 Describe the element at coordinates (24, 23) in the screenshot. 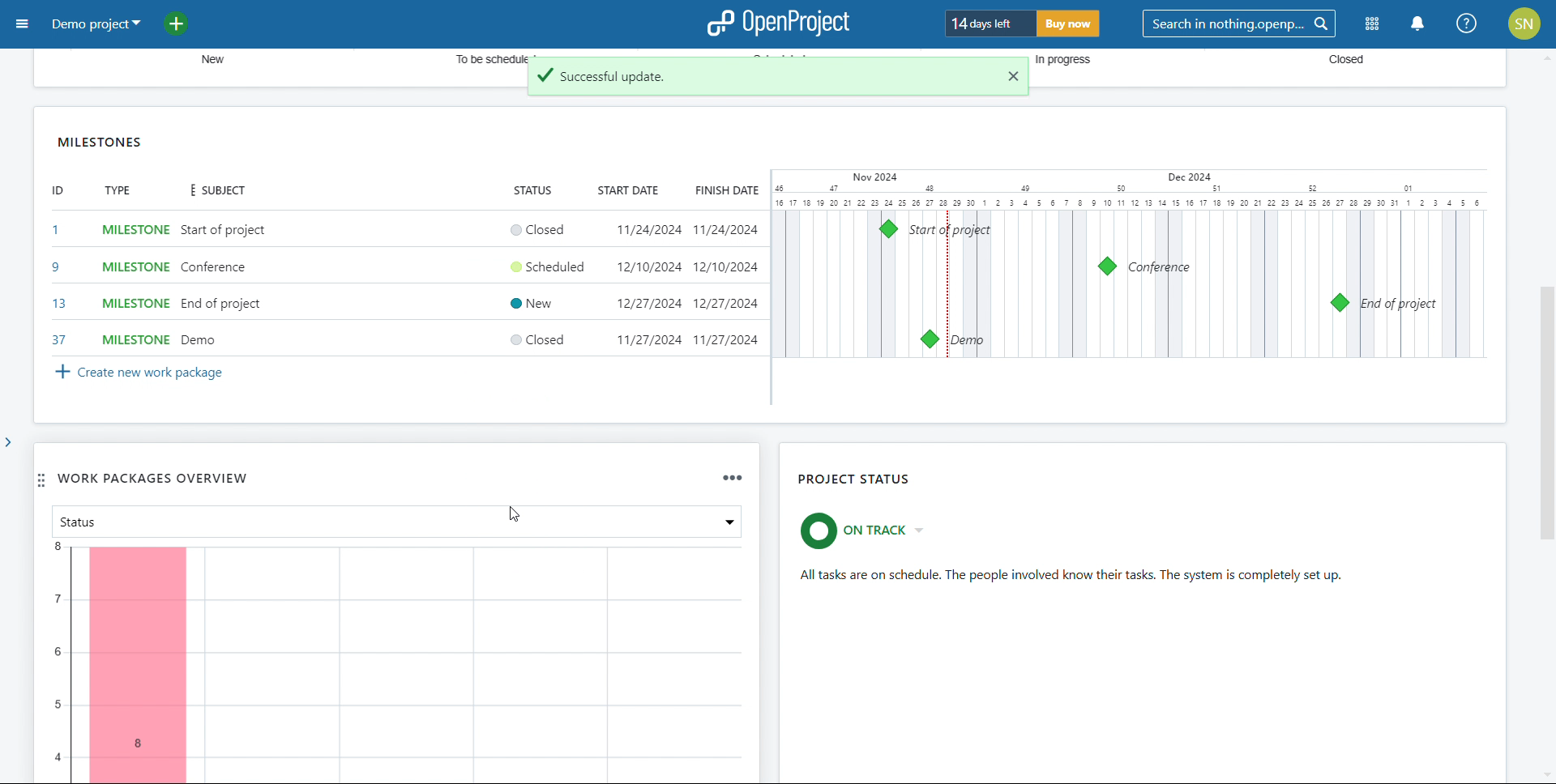

I see `open sidebar menu` at that location.